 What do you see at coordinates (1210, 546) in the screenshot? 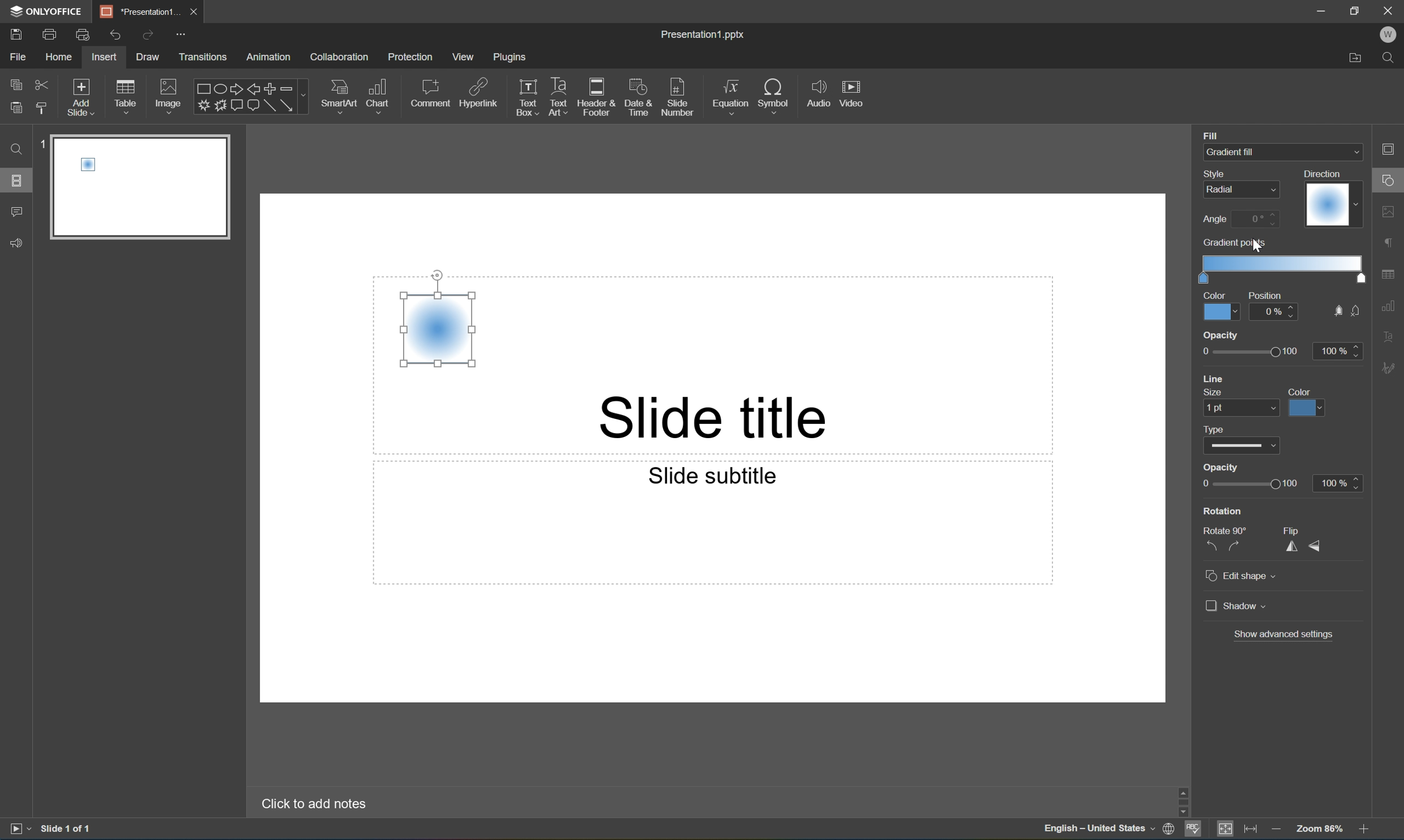
I see `Rotate 90° counterclockwise` at bounding box center [1210, 546].